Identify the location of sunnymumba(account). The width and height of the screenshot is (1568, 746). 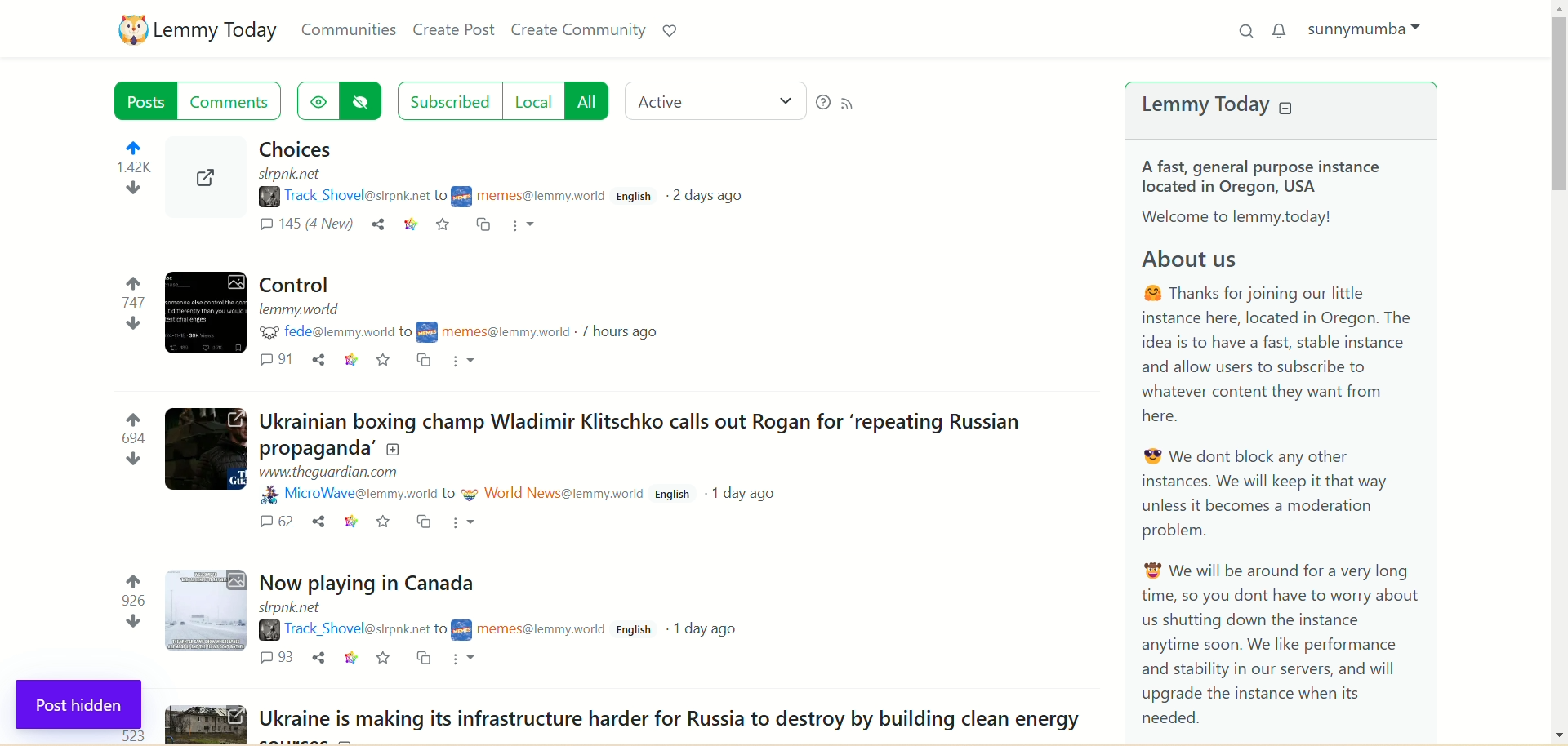
(1370, 29).